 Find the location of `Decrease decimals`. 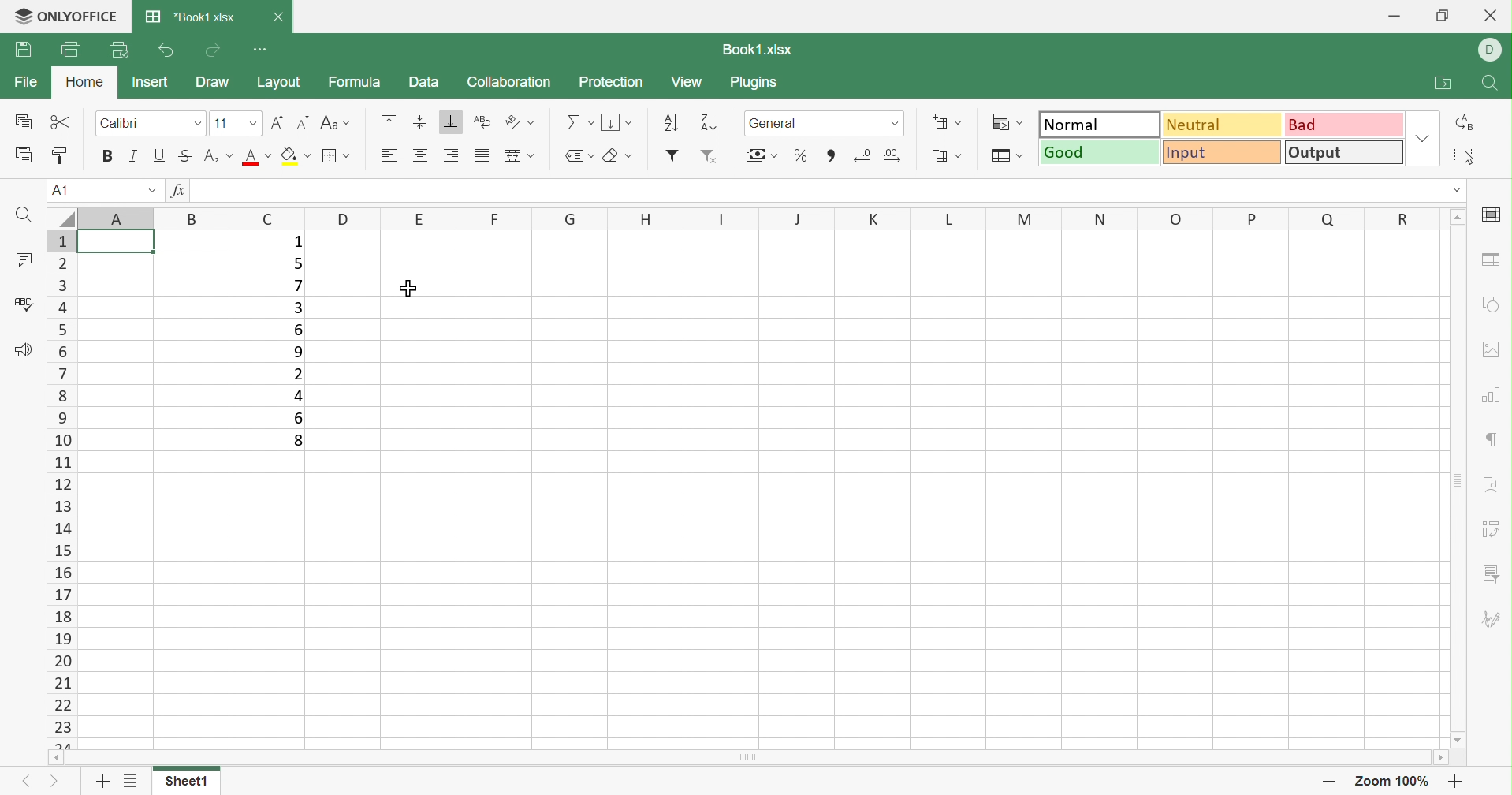

Decrease decimals is located at coordinates (864, 154).